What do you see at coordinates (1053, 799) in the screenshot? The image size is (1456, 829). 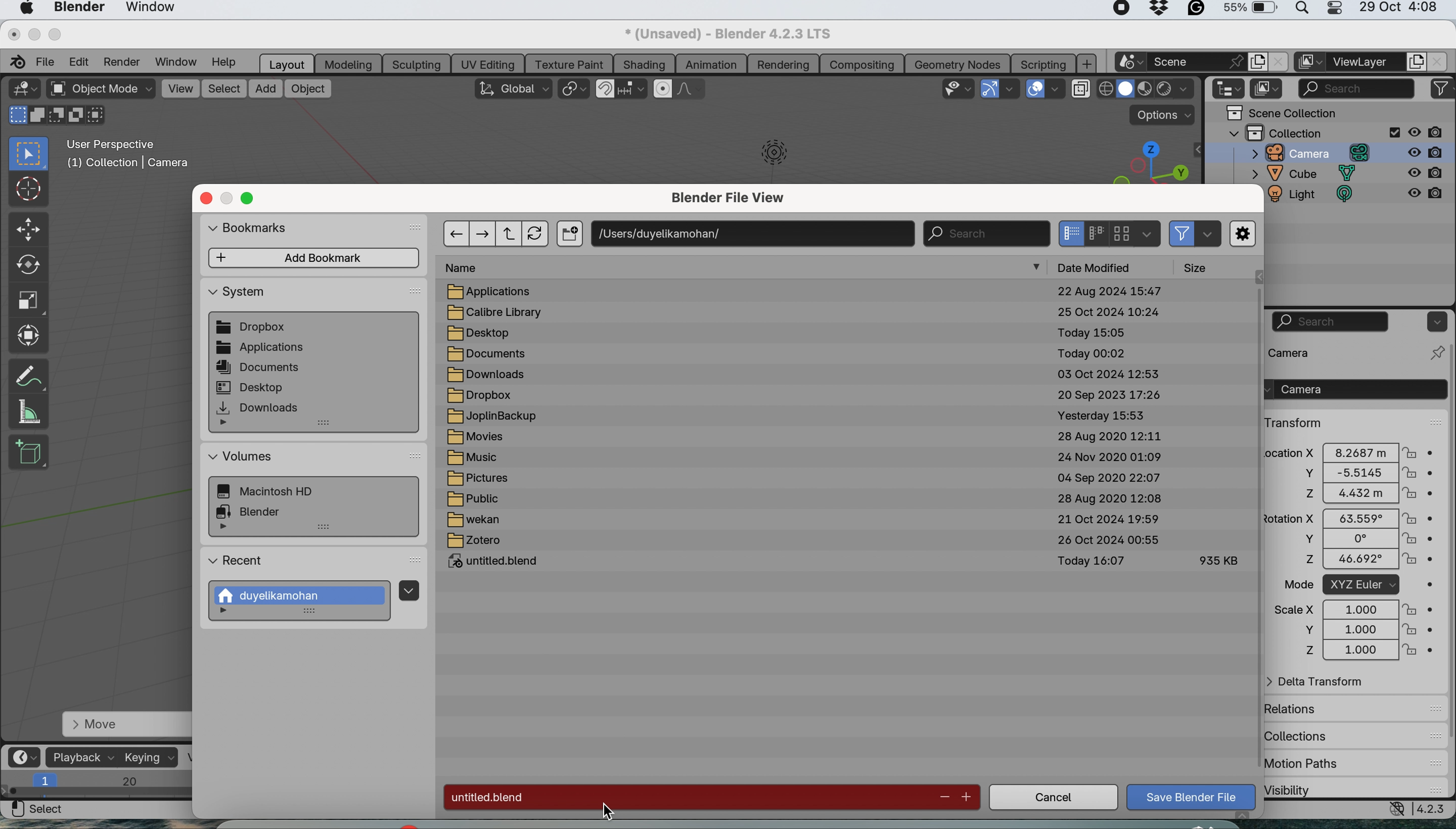 I see `cancel` at bounding box center [1053, 799].